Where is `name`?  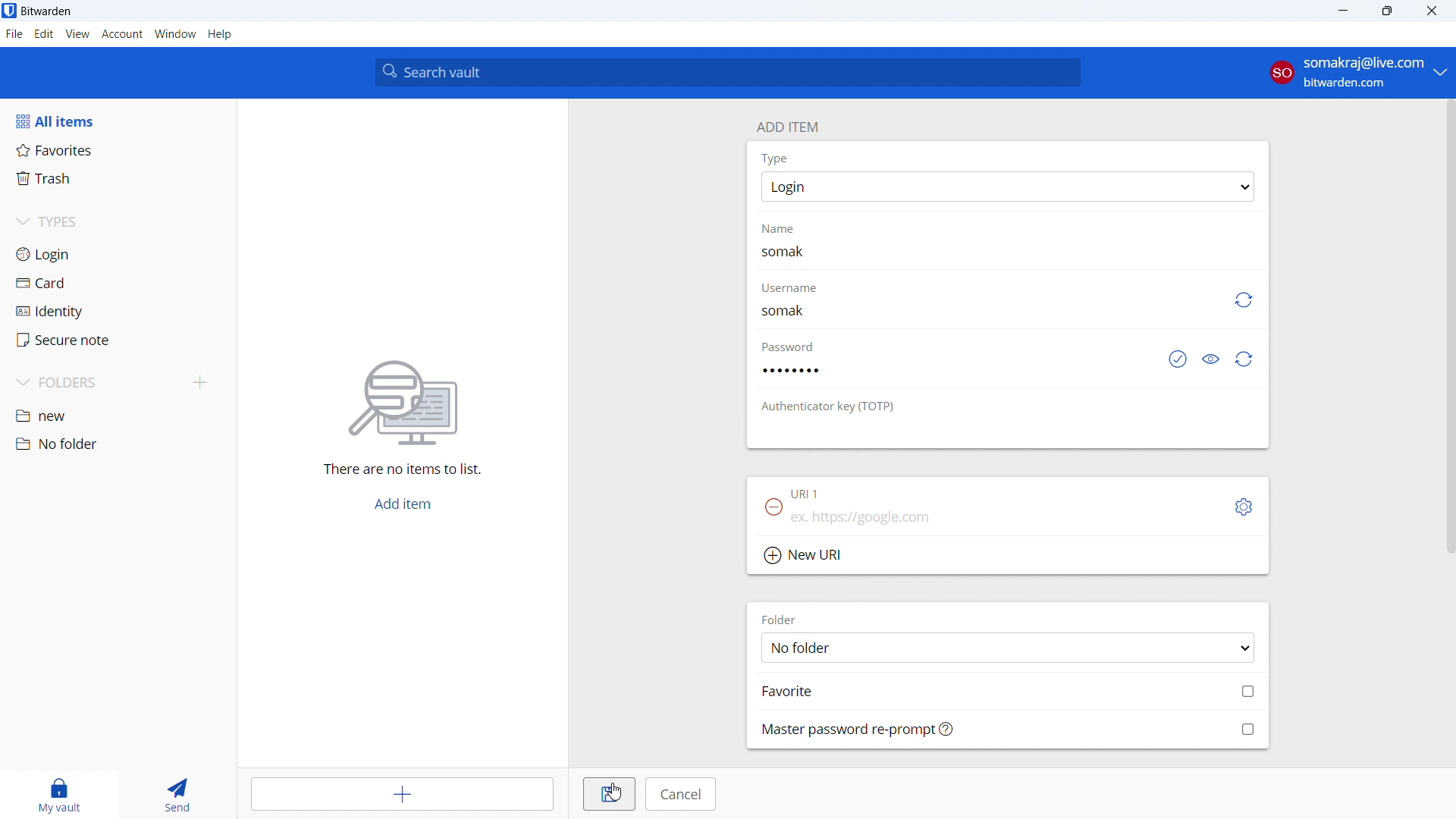
name is located at coordinates (788, 228).